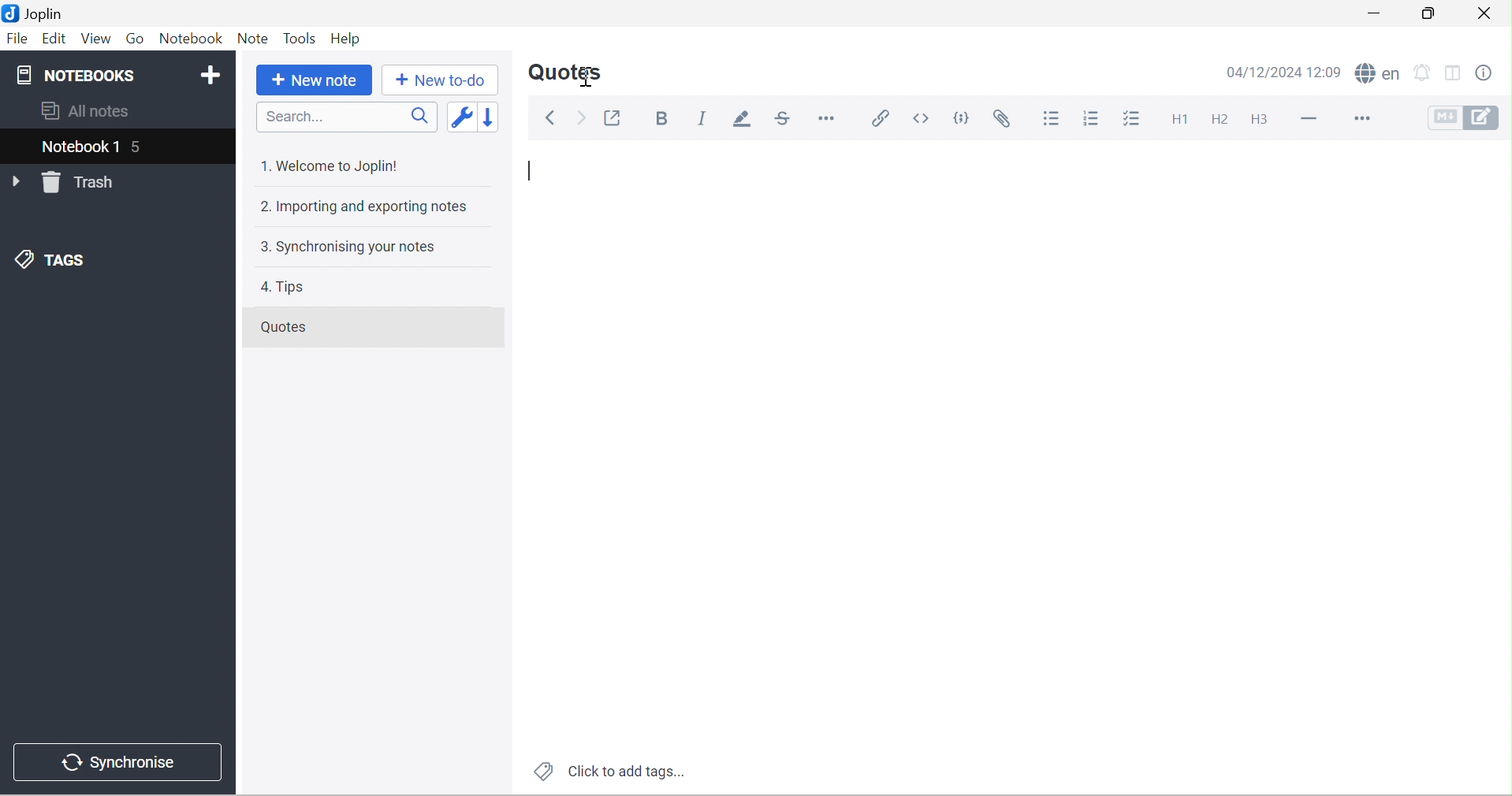 The width and height of the screenshot is (1512, 796). Describe the element at coordinates (1011, 119) in the screenshot. I see `Attach file` at that location.